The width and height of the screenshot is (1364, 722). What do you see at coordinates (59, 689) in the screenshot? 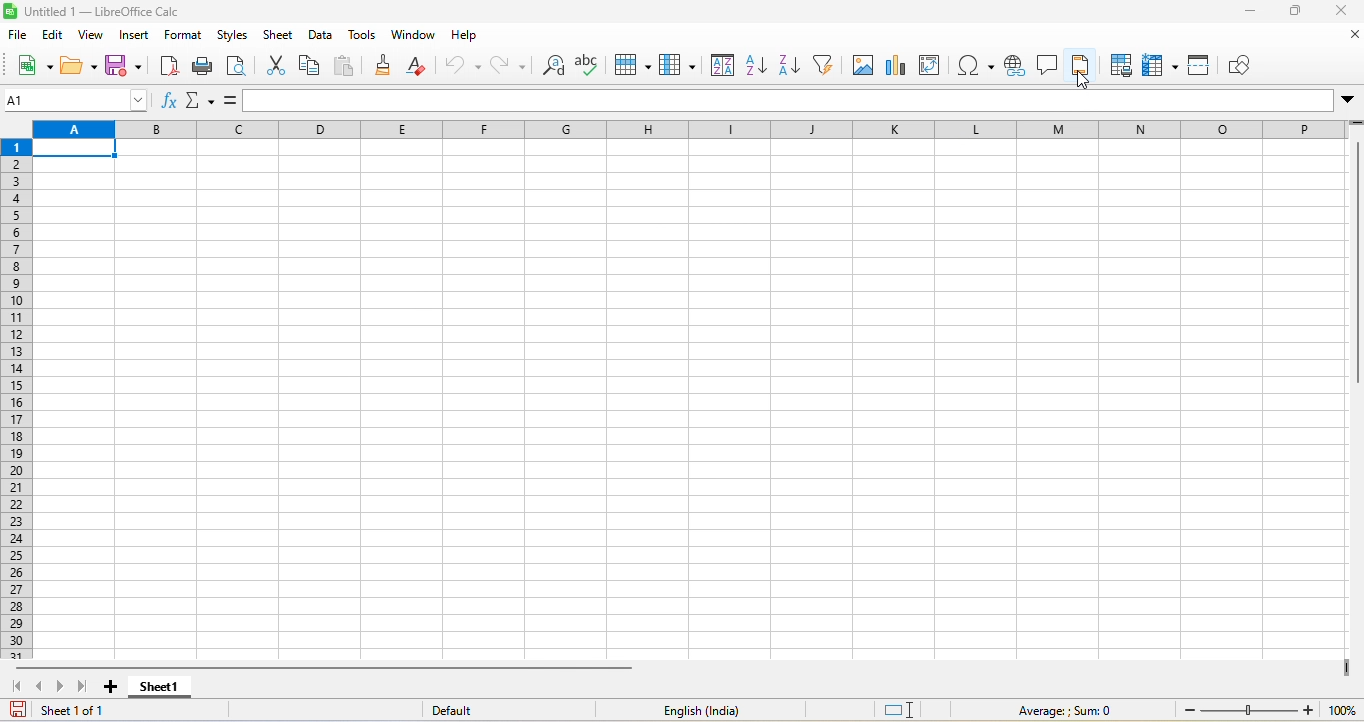
I see `next sheet` at bounding box center [59, 689].